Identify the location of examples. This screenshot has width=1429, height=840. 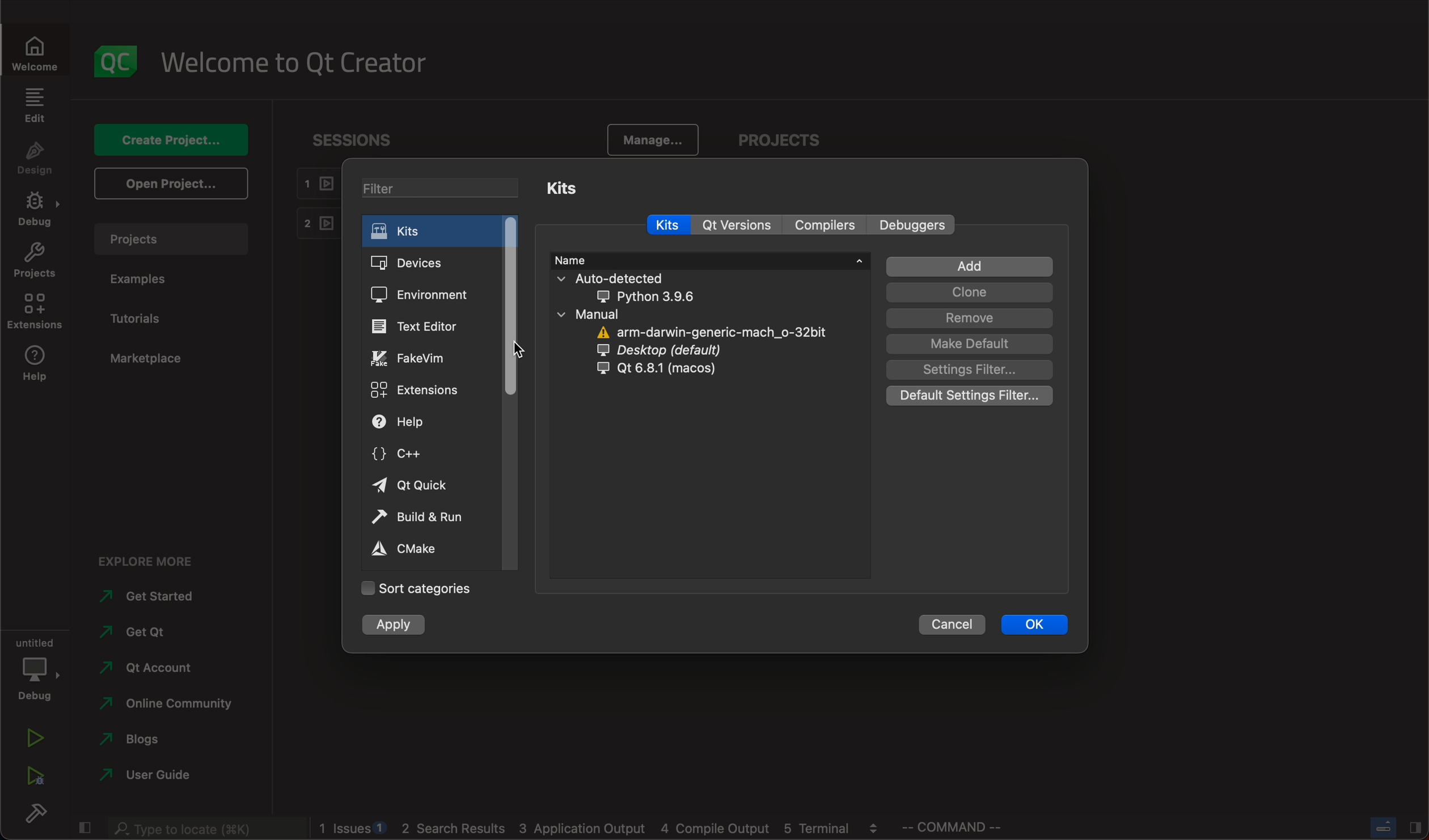
(142, 282).